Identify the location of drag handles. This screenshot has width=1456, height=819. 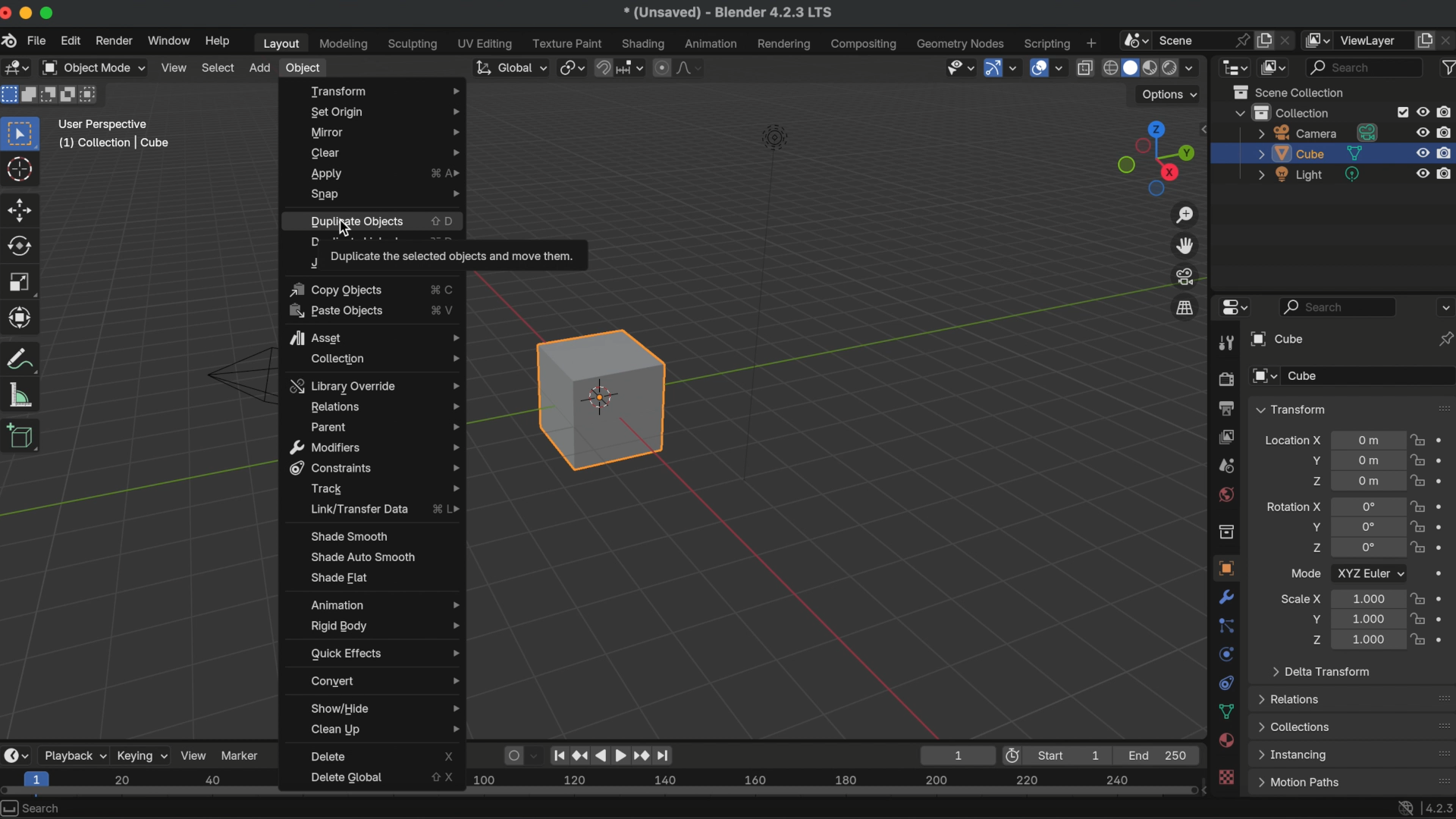
(1441, 726).